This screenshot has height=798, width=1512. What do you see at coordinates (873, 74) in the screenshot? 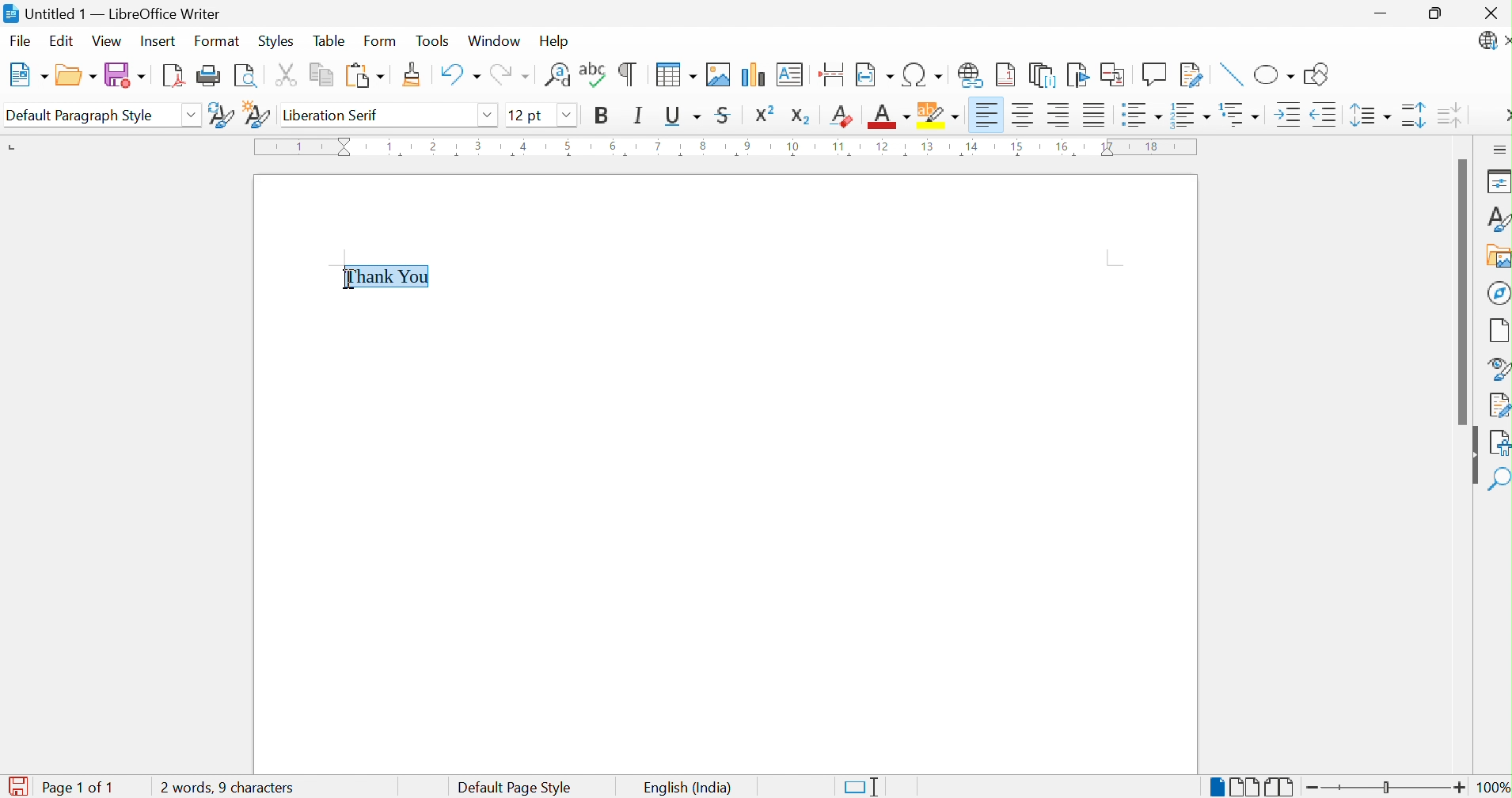
I see `Insert Field` at bounding box center [873, 74].